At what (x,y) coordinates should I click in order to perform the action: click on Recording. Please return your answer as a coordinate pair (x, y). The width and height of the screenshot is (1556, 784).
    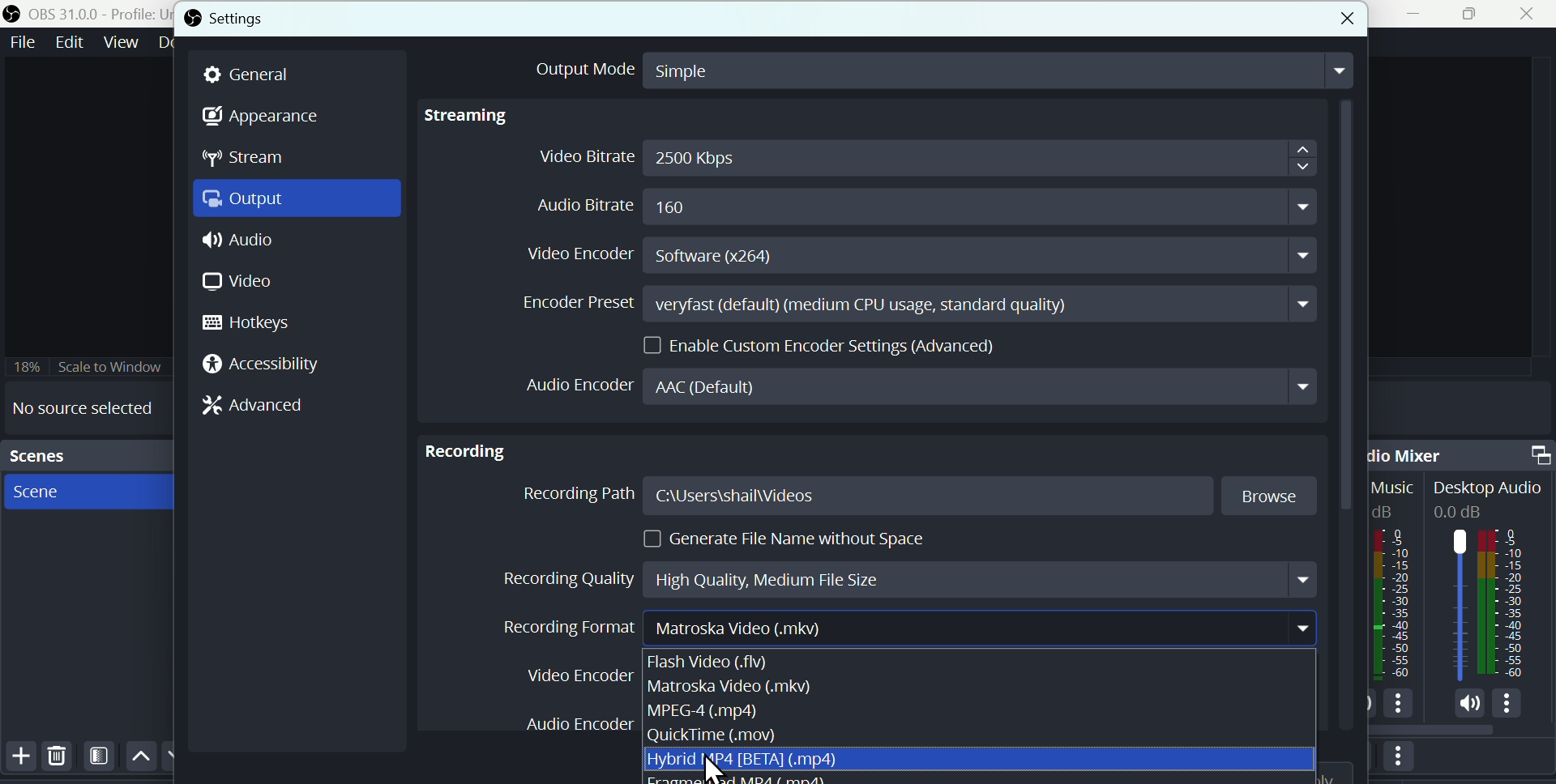
    Looking at the image, I should click on (460, 453).